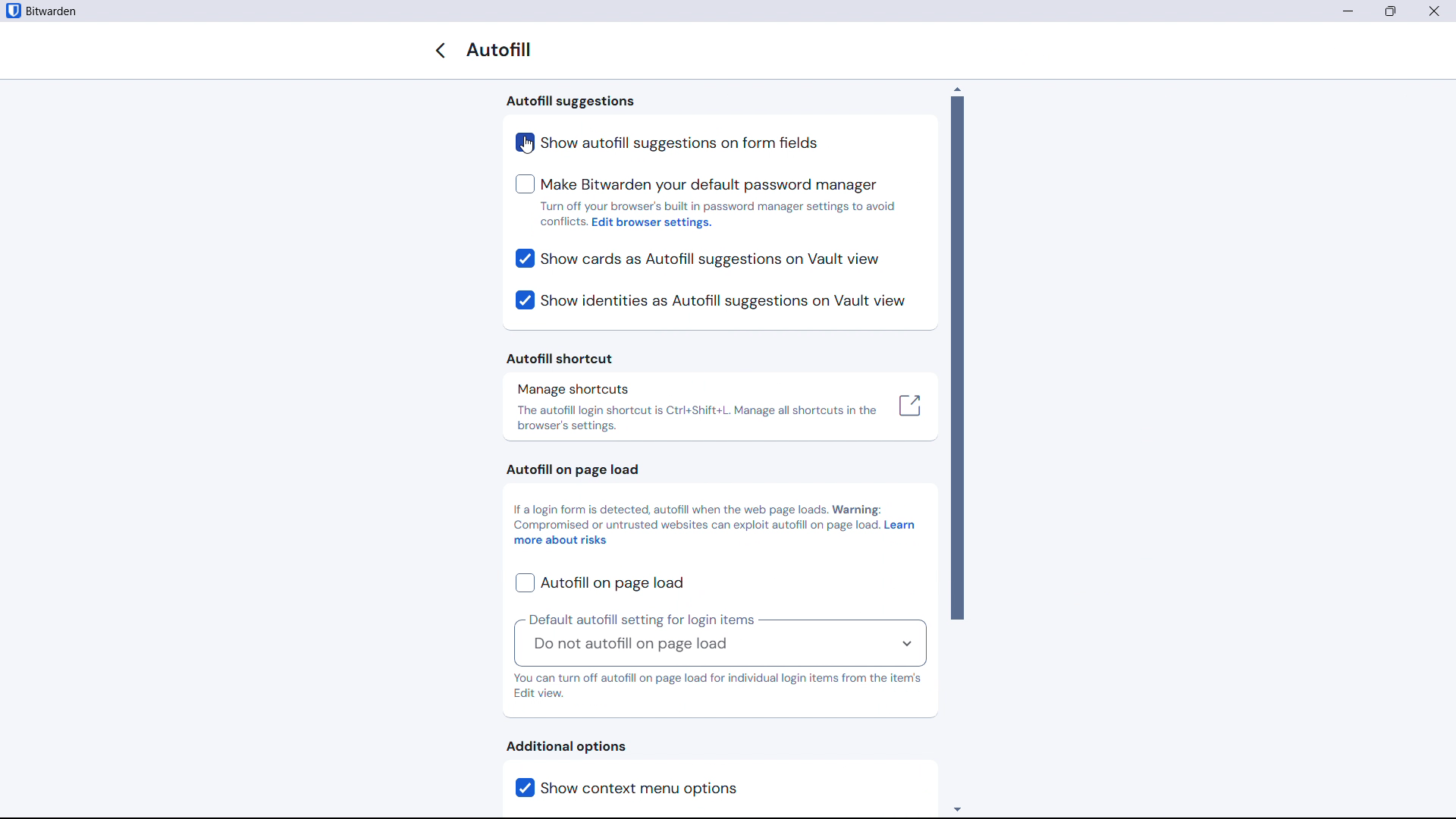 Image resolution: width=1456 pixels, height=819 pixels. Describe the element at coordinates (1347, 11) in the screenshot. I see `minimise ` at that location.